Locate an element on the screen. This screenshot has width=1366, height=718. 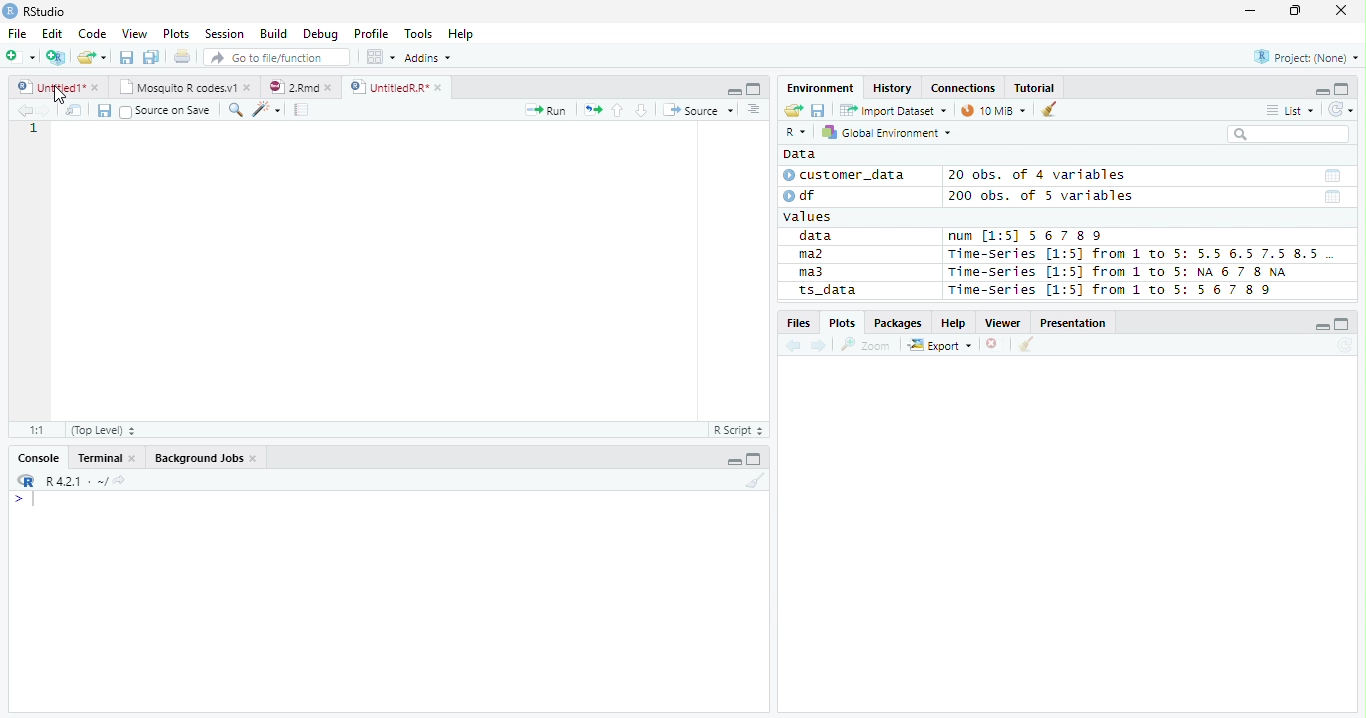
Time-Series [1:5] from 1 to 5: 56 7 8 9 is located at coordinates (1112, 290).